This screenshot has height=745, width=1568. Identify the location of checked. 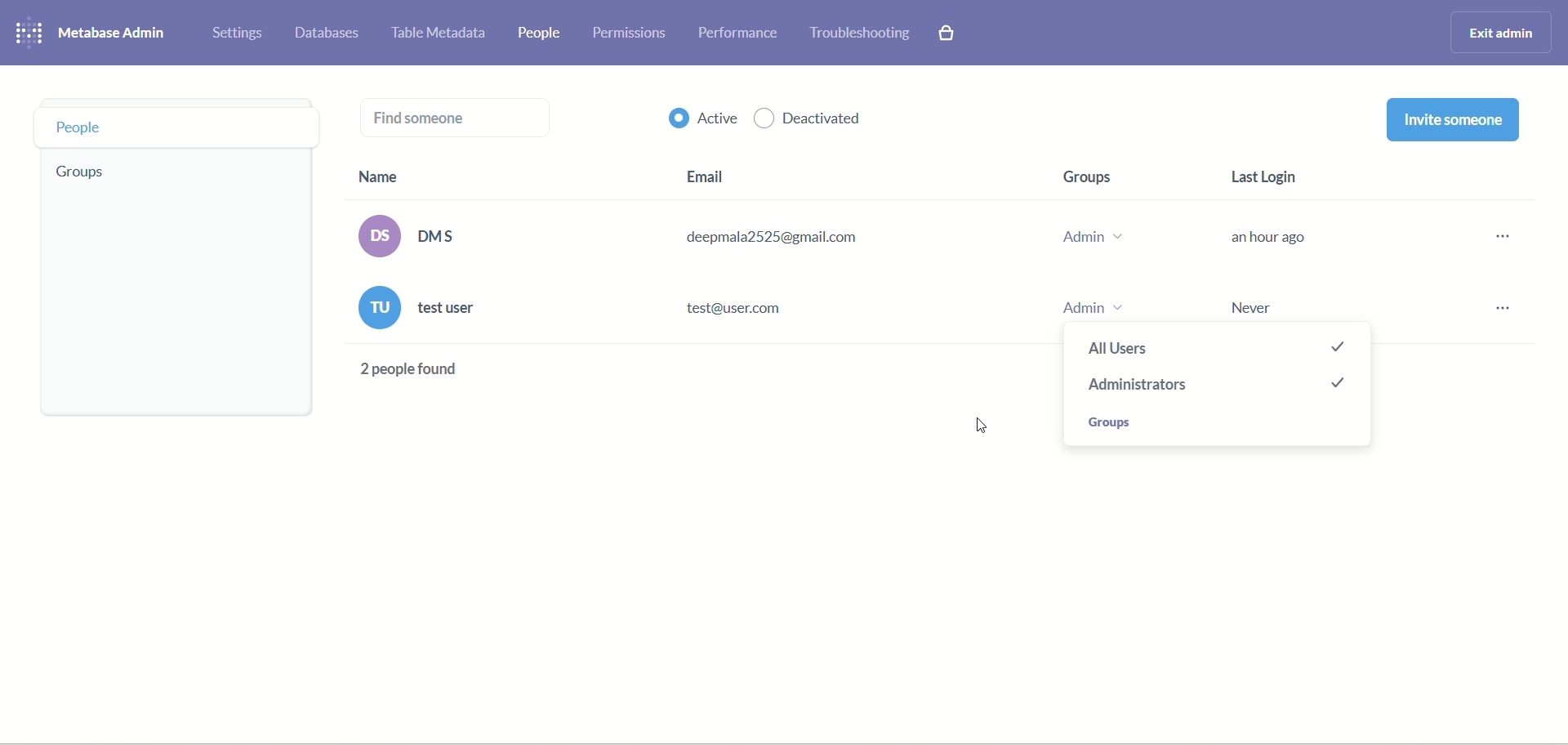
(1219, 382).